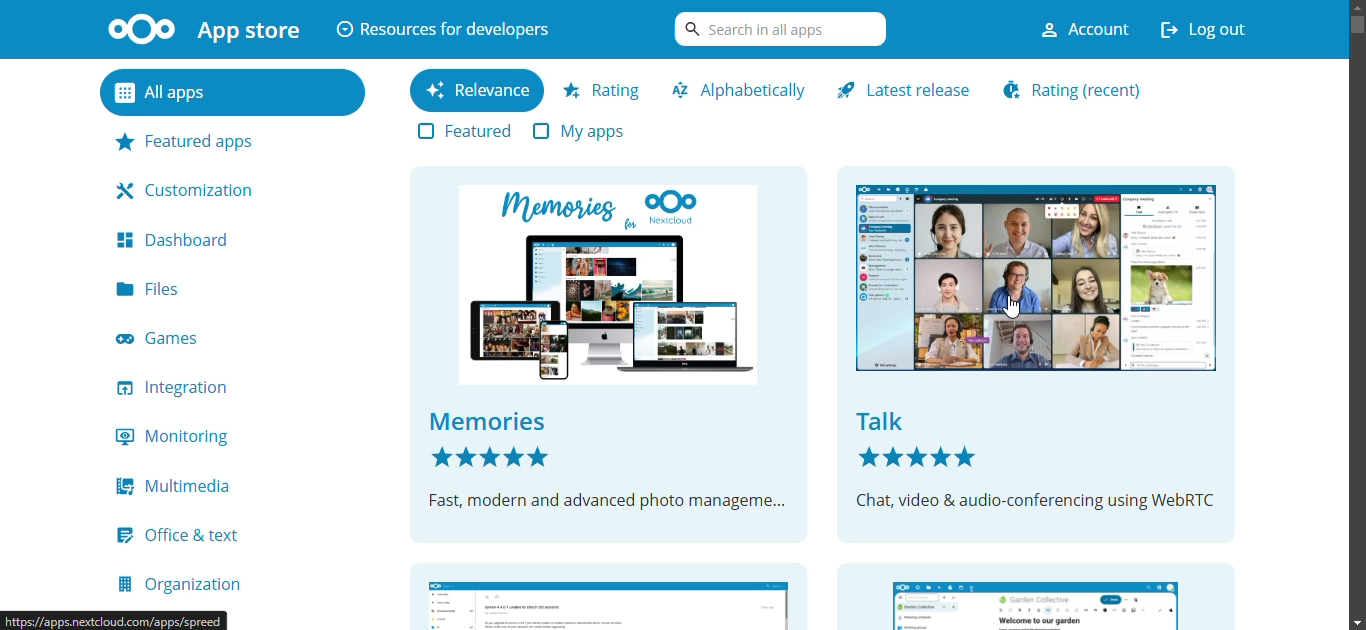 Image resolution: width=1366 pixels, height=630 pixels. Describe the element at coordinates (118, 619) in the screenshot. I see `website` at that location.